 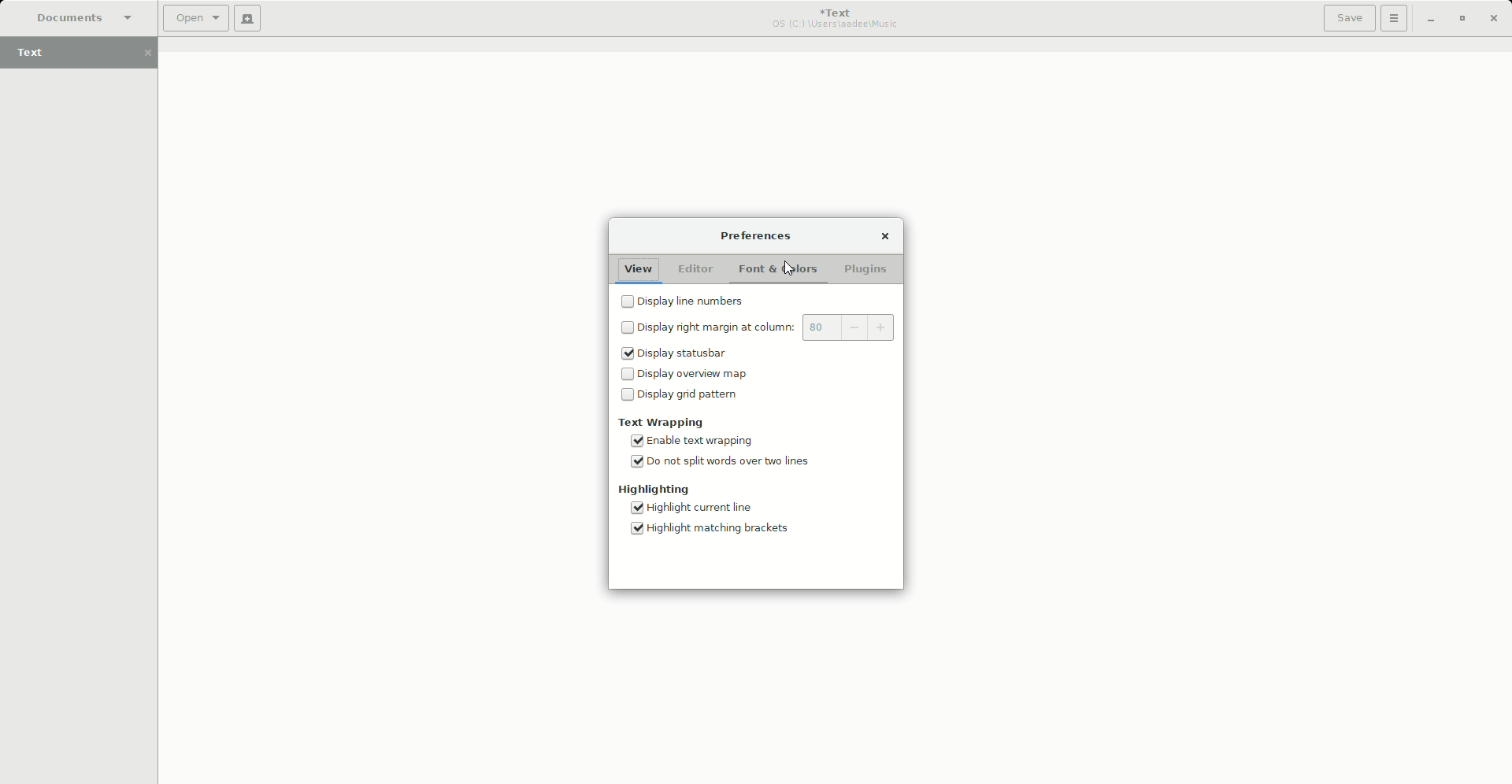 What do you see at coordinates (1349, 18) in the screenshot?
I see `Save` at bounding box center [1349, 18].